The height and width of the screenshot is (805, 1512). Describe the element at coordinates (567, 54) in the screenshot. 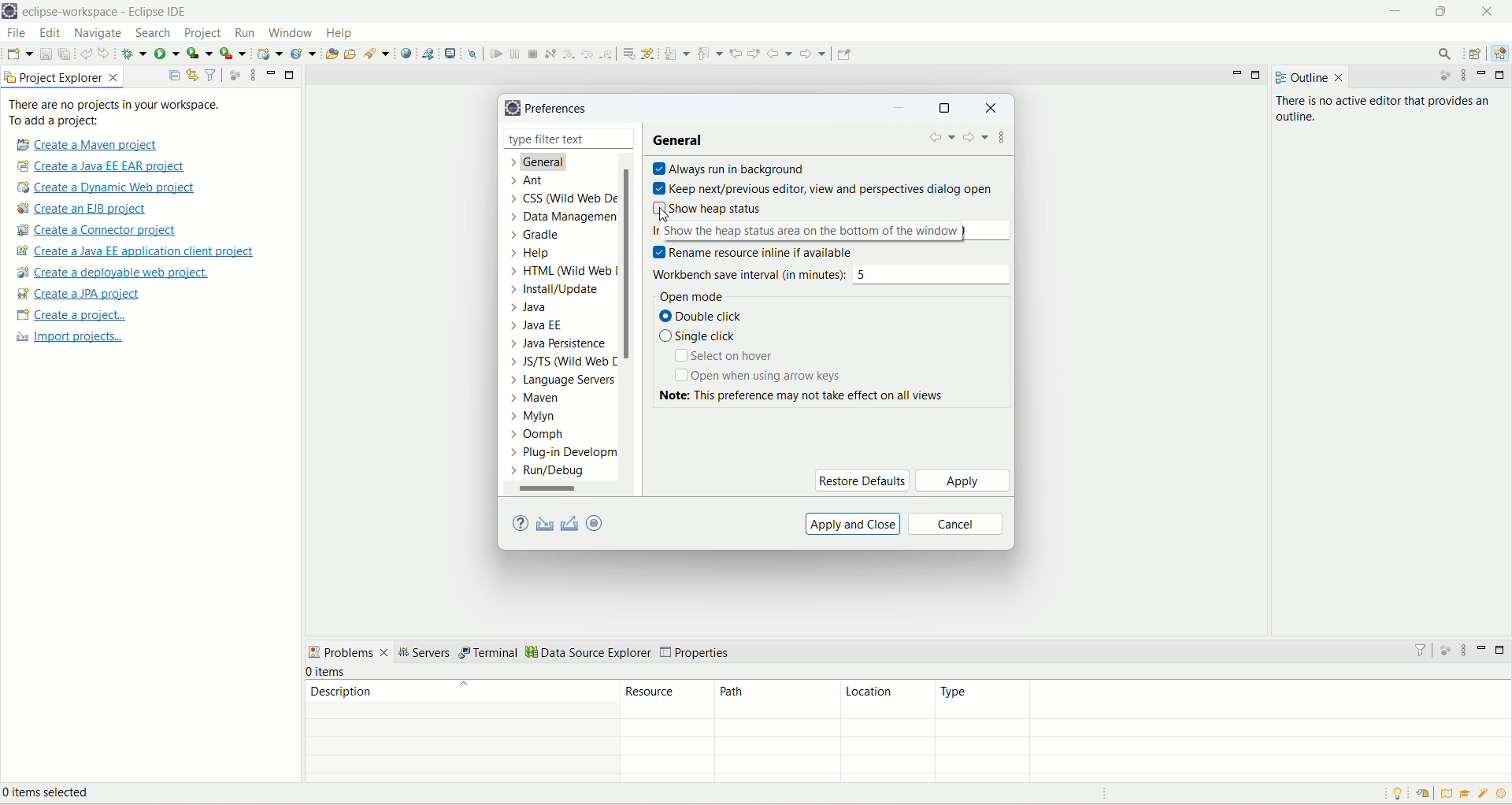

I see `step into` at that location.